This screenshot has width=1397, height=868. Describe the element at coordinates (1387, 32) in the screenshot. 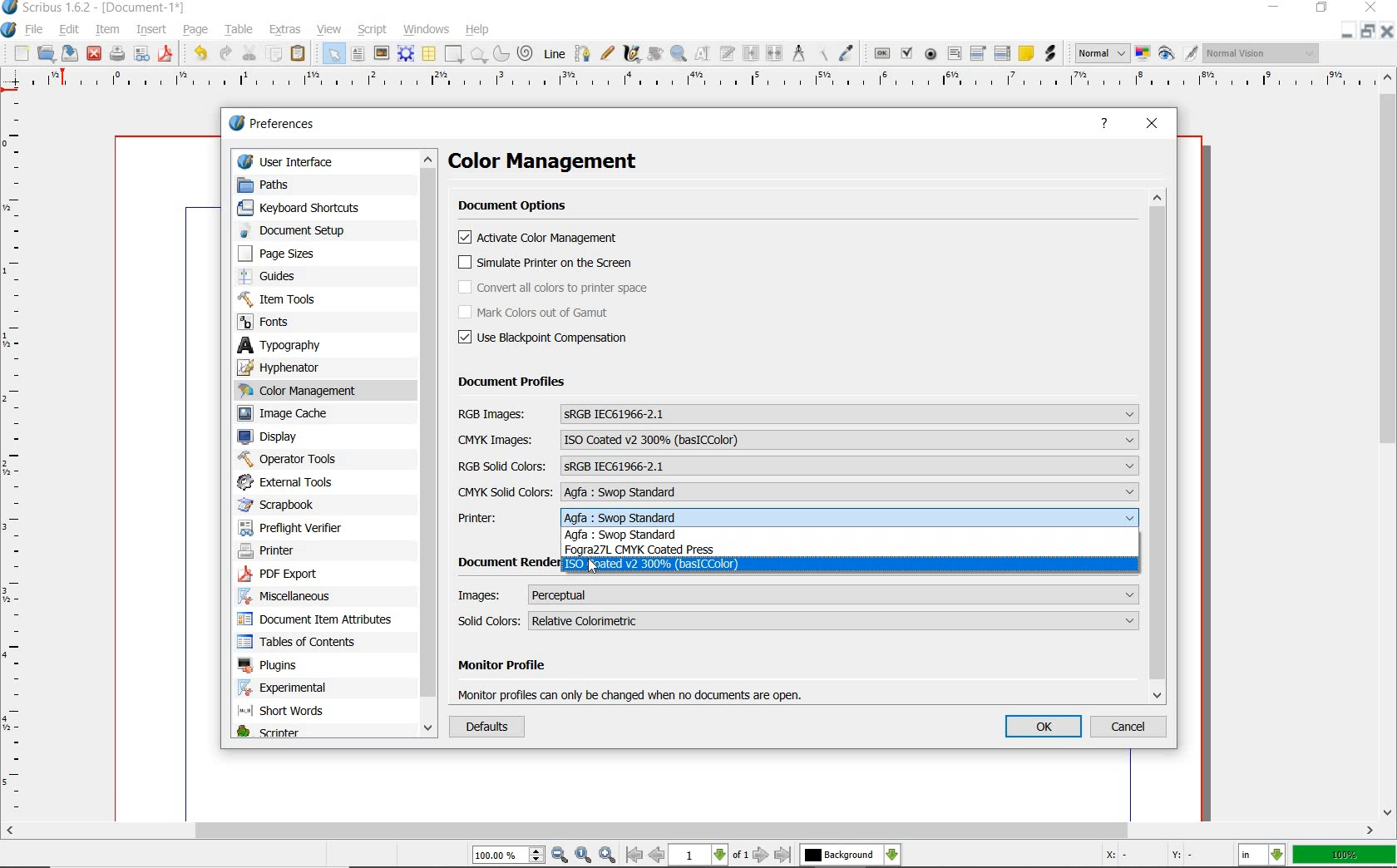

I see `close` at that location.